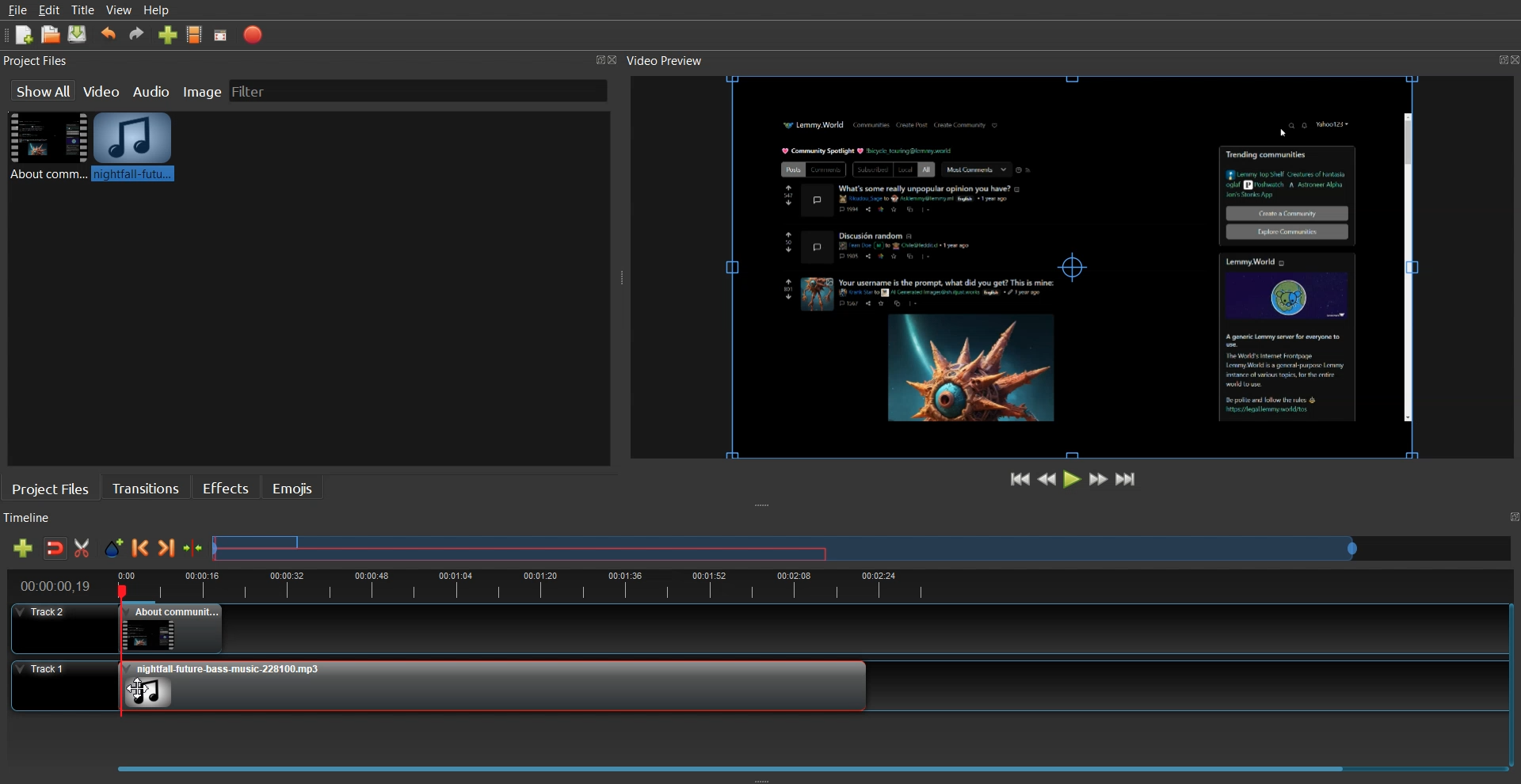  What do you see at coordinates (103, 89) in the screenshot?
I see `Video` at bounding box center [103, 89].